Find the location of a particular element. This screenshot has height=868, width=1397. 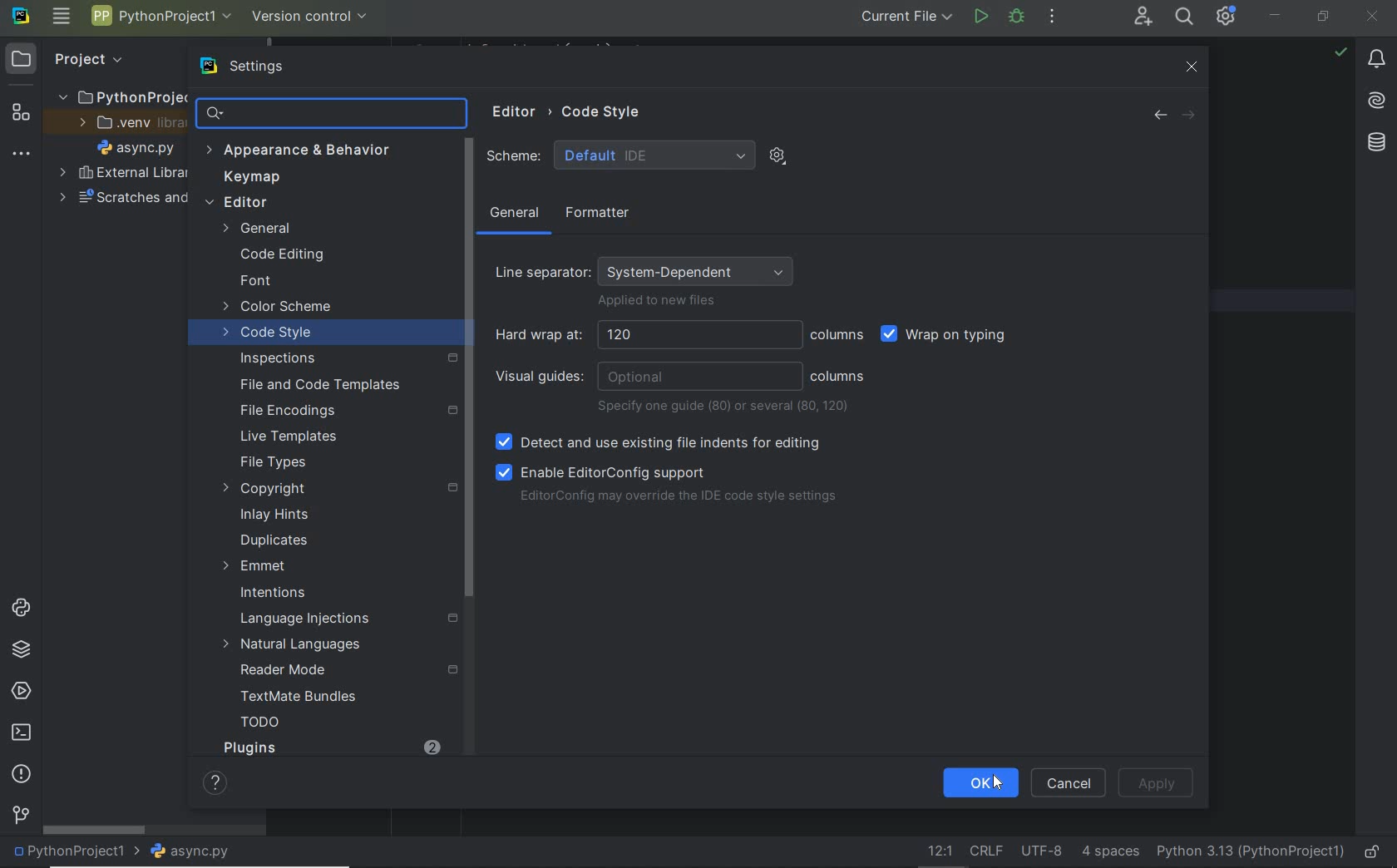

File Types is located at coordinates (273, 463).